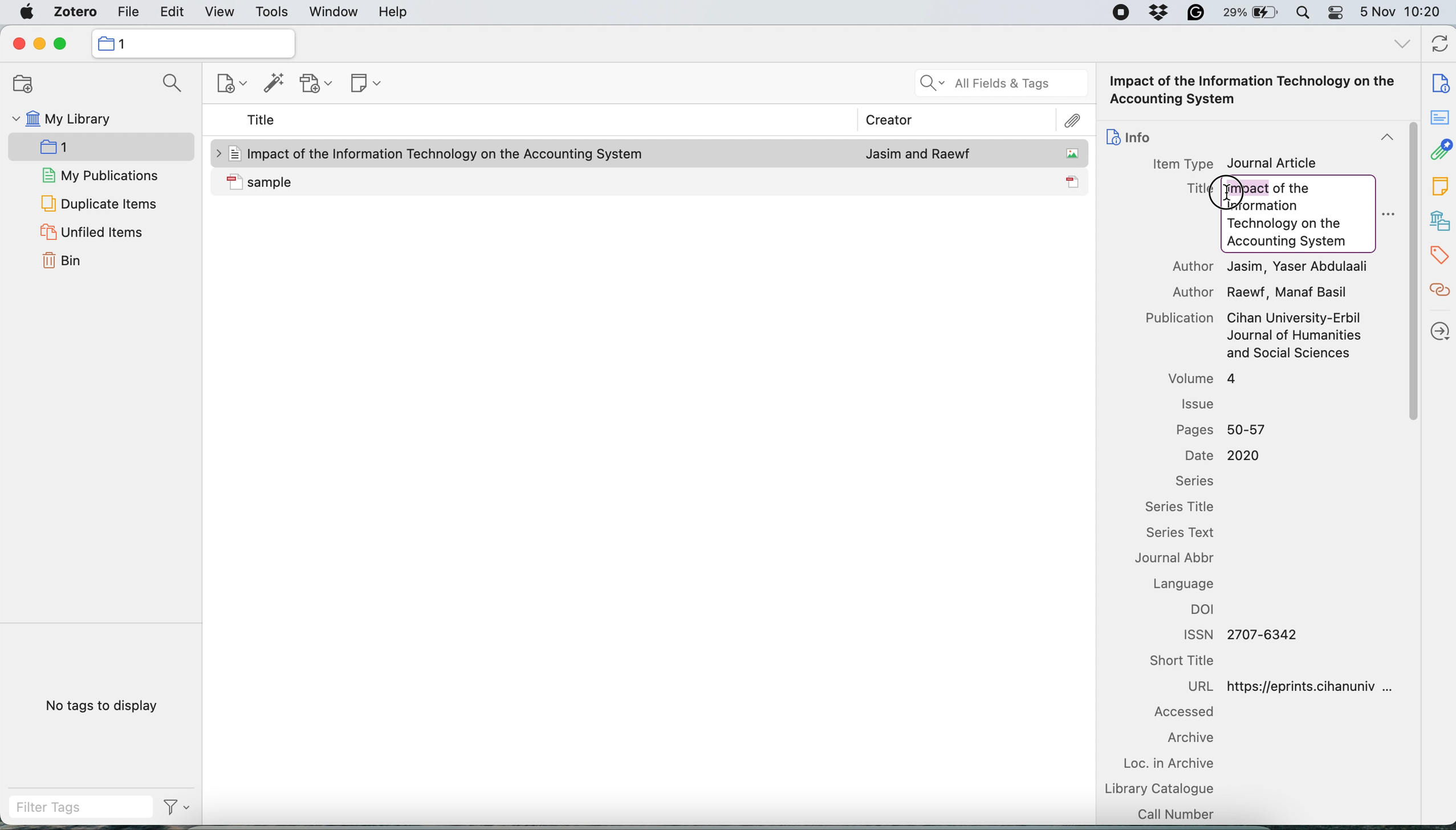  I want to click on new attachment, so click(316, 85).